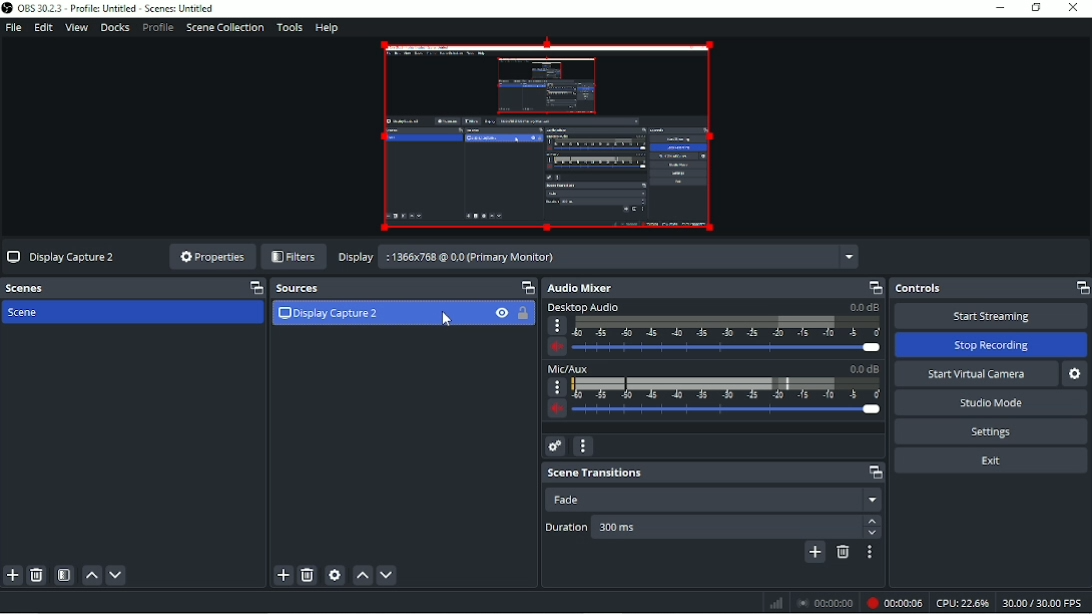 The width and height of the screenshot is (1092, 614). Describe the element at coordinates (565, 528) in the screenshot. I see `Duration` at that location.